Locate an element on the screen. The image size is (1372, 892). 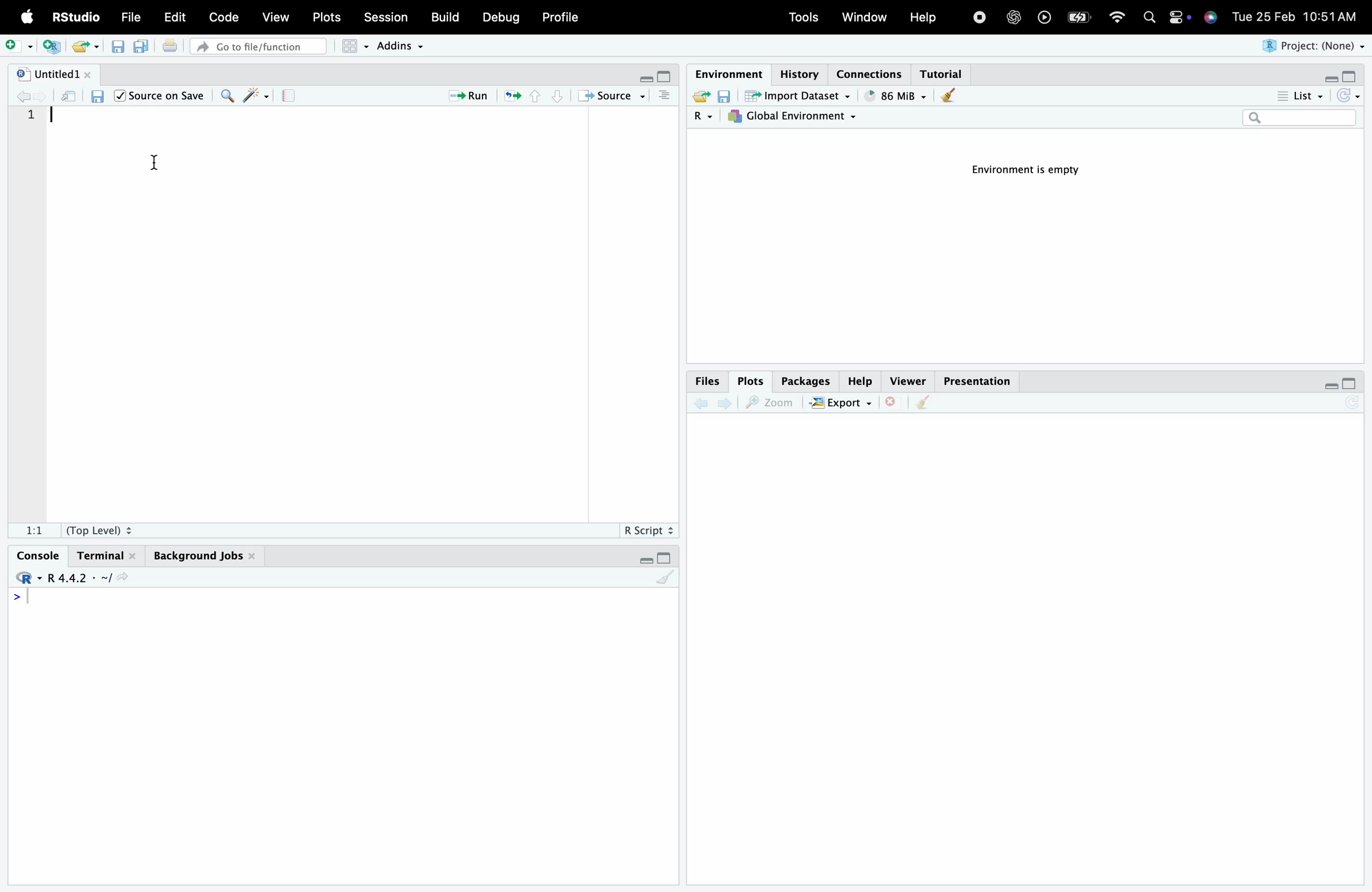
save multiple scripts is located at coordinates (144, 52).